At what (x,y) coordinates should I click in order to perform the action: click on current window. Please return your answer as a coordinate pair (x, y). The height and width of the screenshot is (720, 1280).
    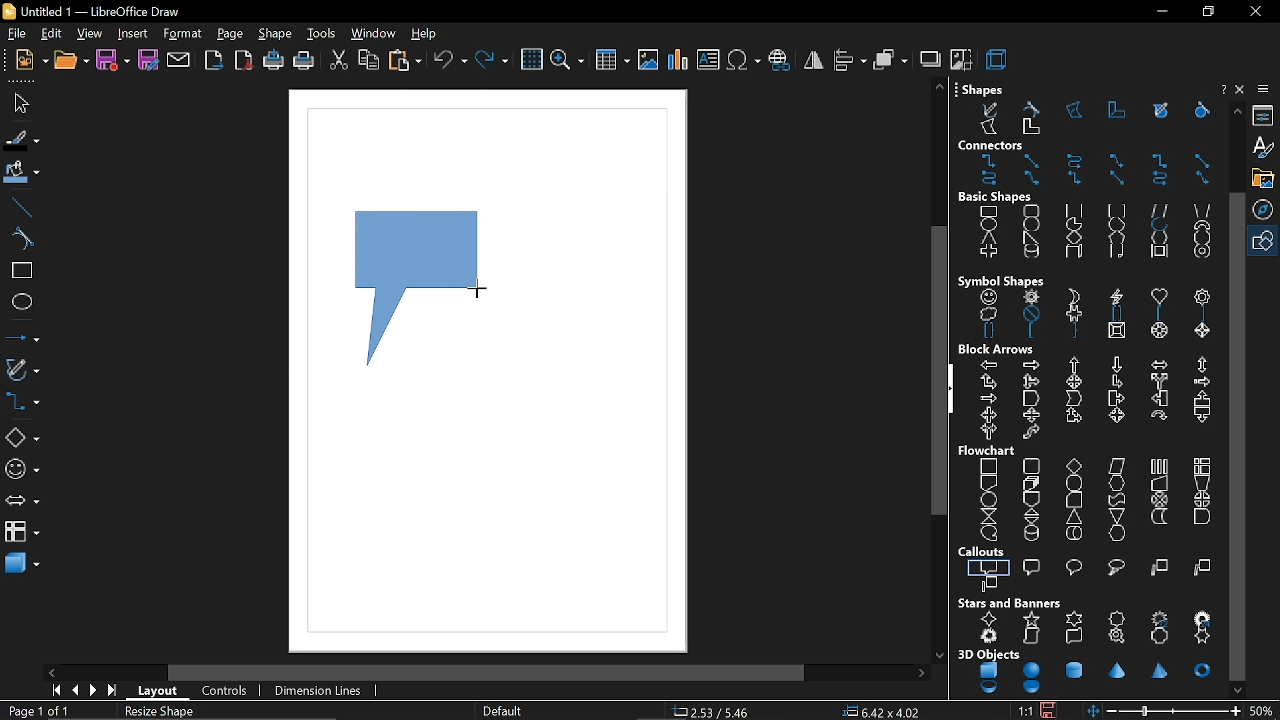
    Looking at the image, I should click on (102, 10).